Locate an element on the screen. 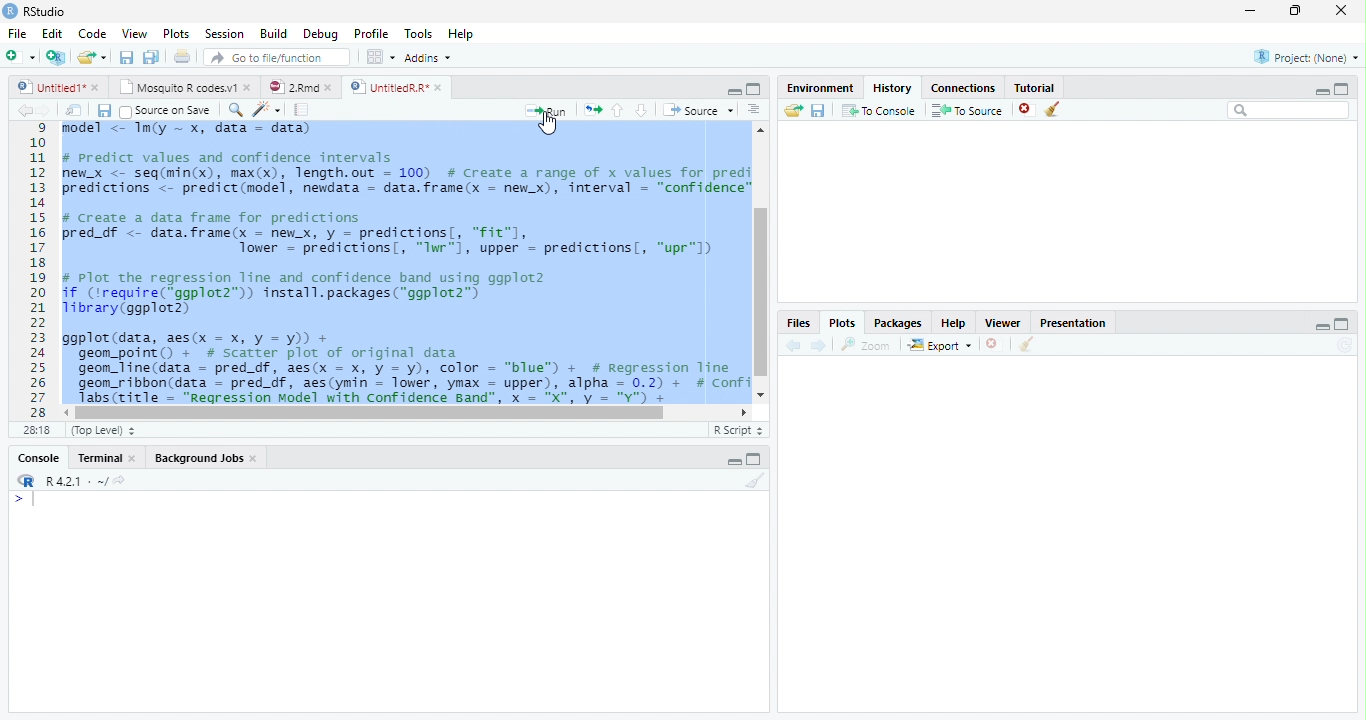 The image size is (1366, 720). Go to the next section/chunk is located at coordinates (642, 111).